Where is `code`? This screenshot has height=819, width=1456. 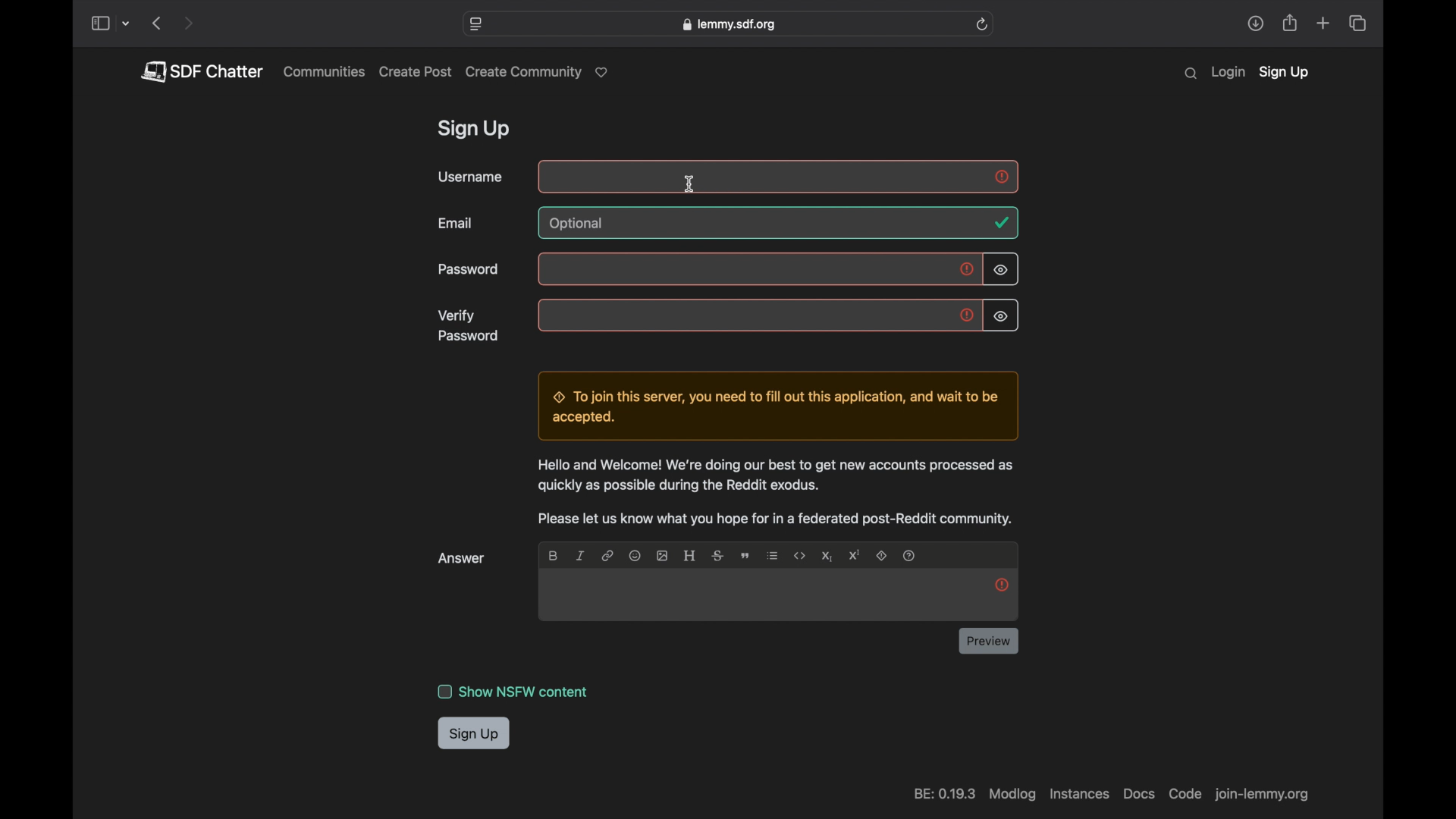
code is located at coordinates (1184, 794).